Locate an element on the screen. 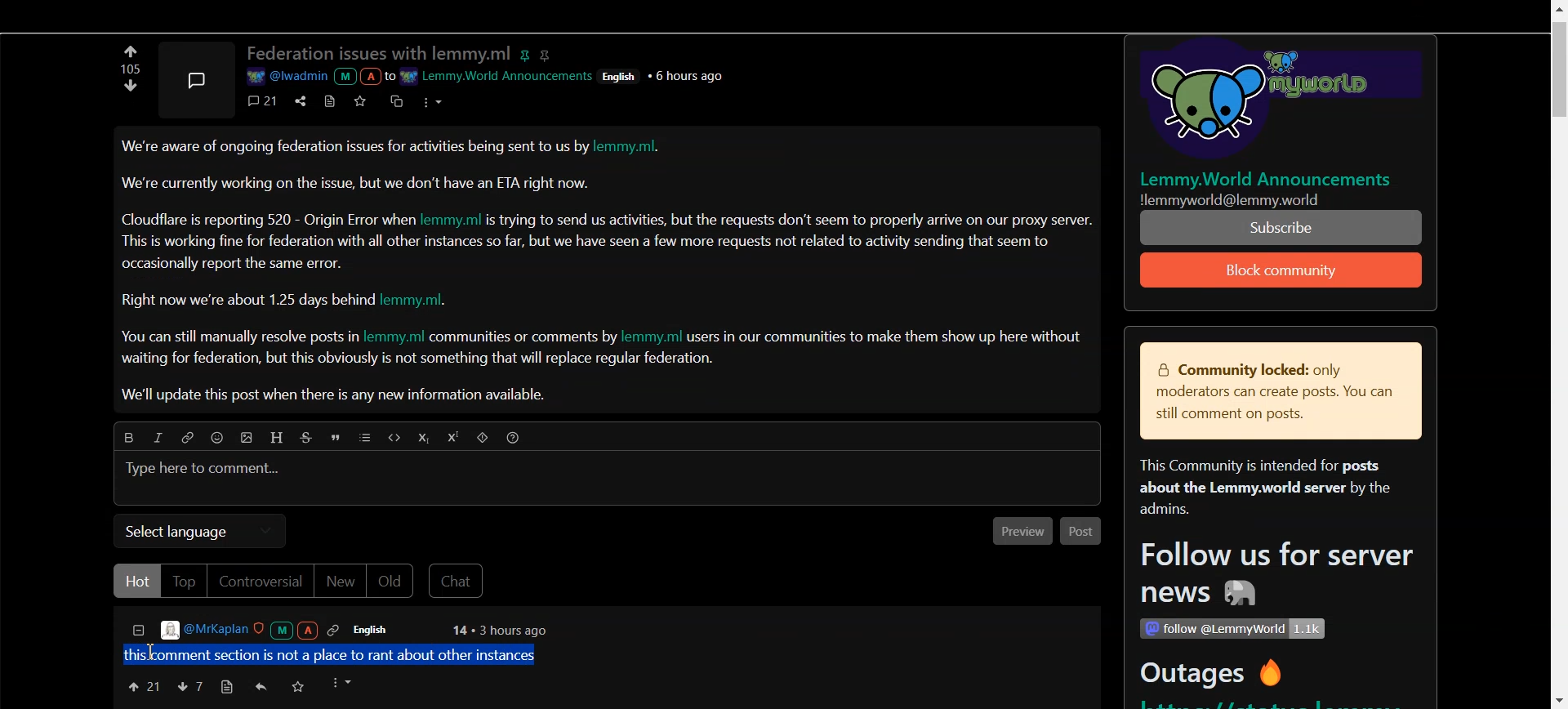 The width and height of the screenshot is (1568, 709). Bold is located at coordinates (124, 435).